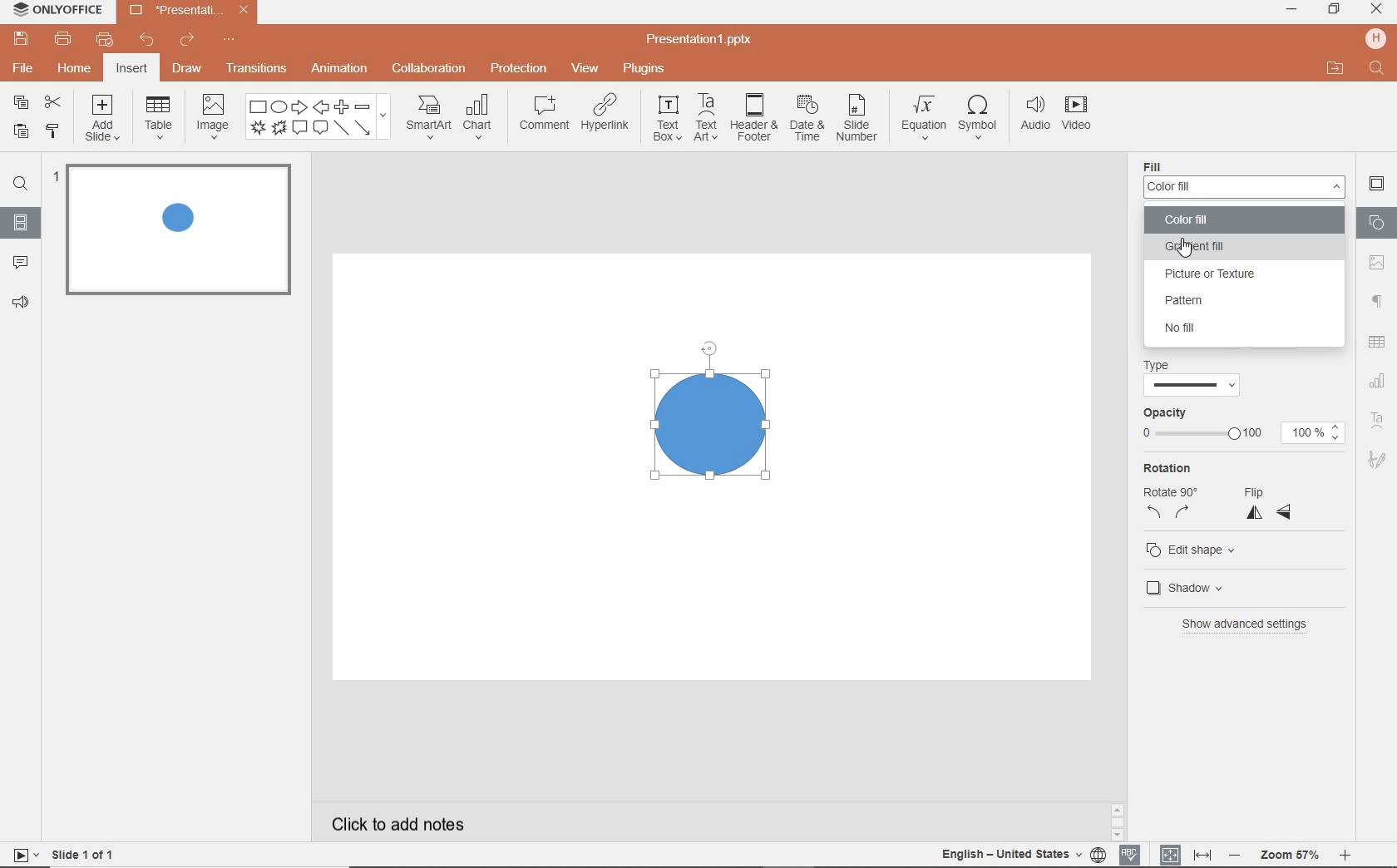 The image size is (1397, 868). I want to click on table settings, so click(1379, 341).